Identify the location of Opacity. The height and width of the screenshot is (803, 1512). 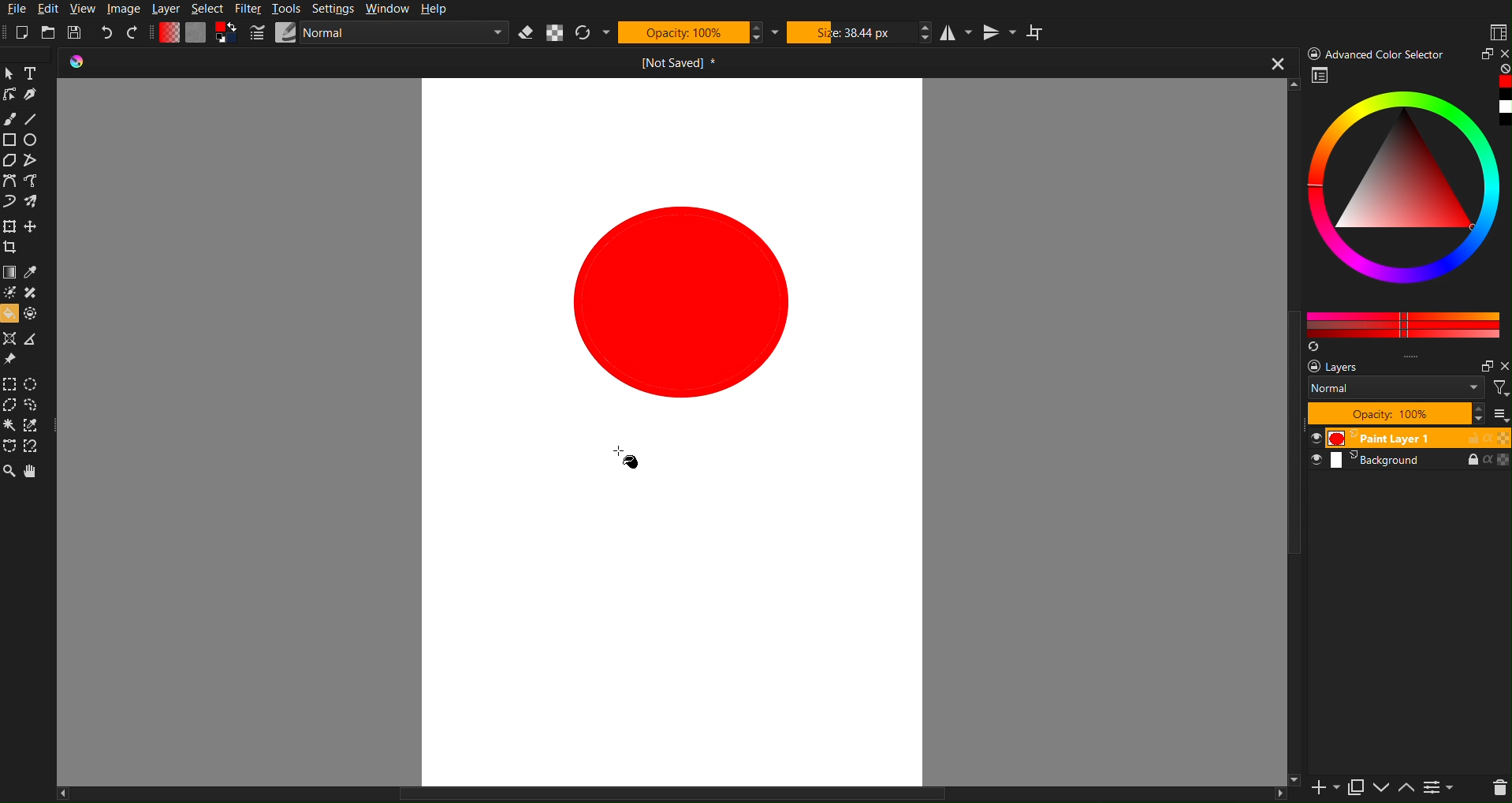
(1407, 413).